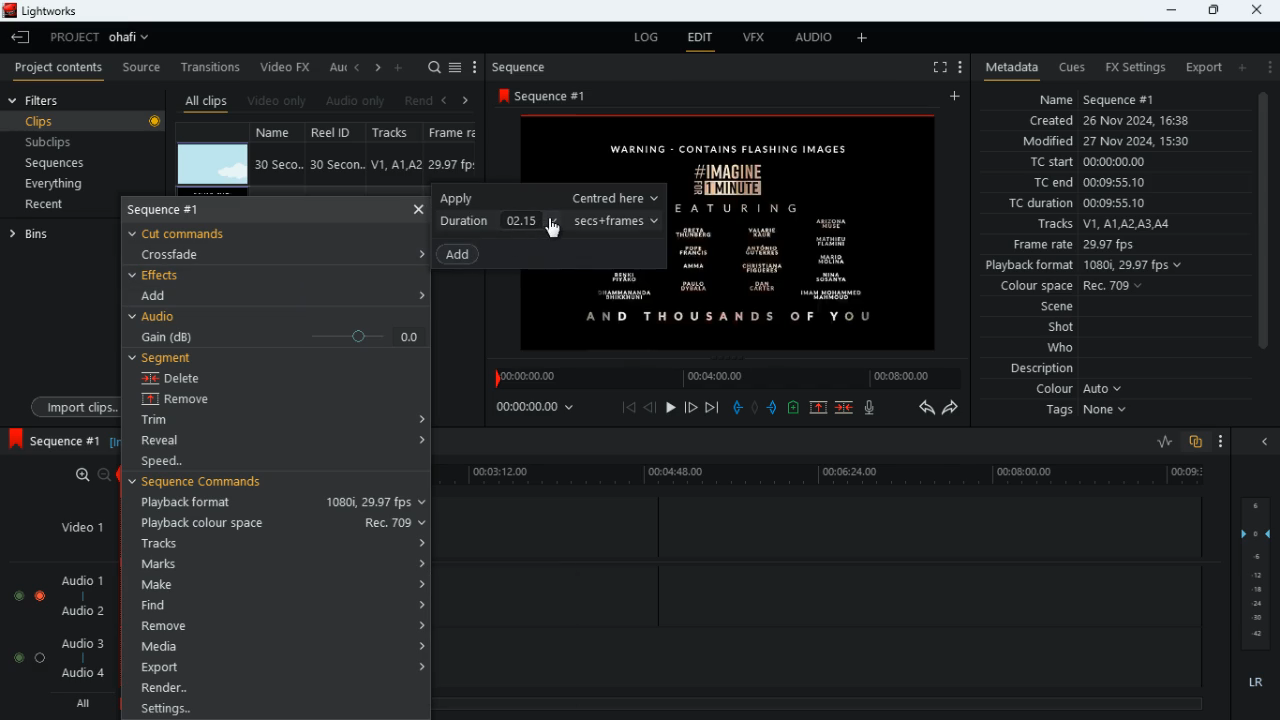 The width and height of the screenshot is (1280, 720). Describe the element at coordinates (846, 409) in the screenshot. I see `merge` at that location.